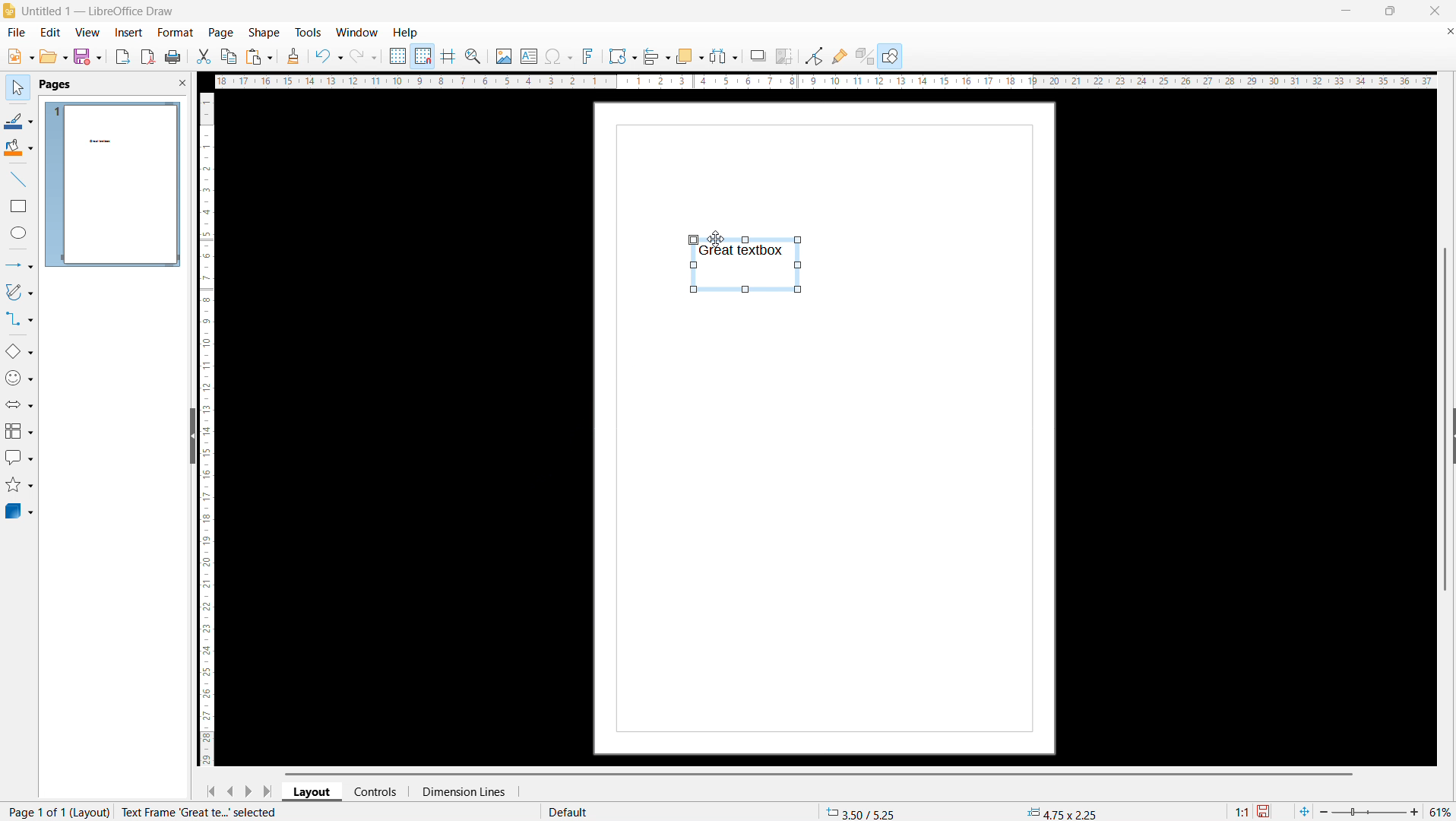 The height and width of the screenshot is (821, 1456). I want to click on line tool, so click(18, 178).